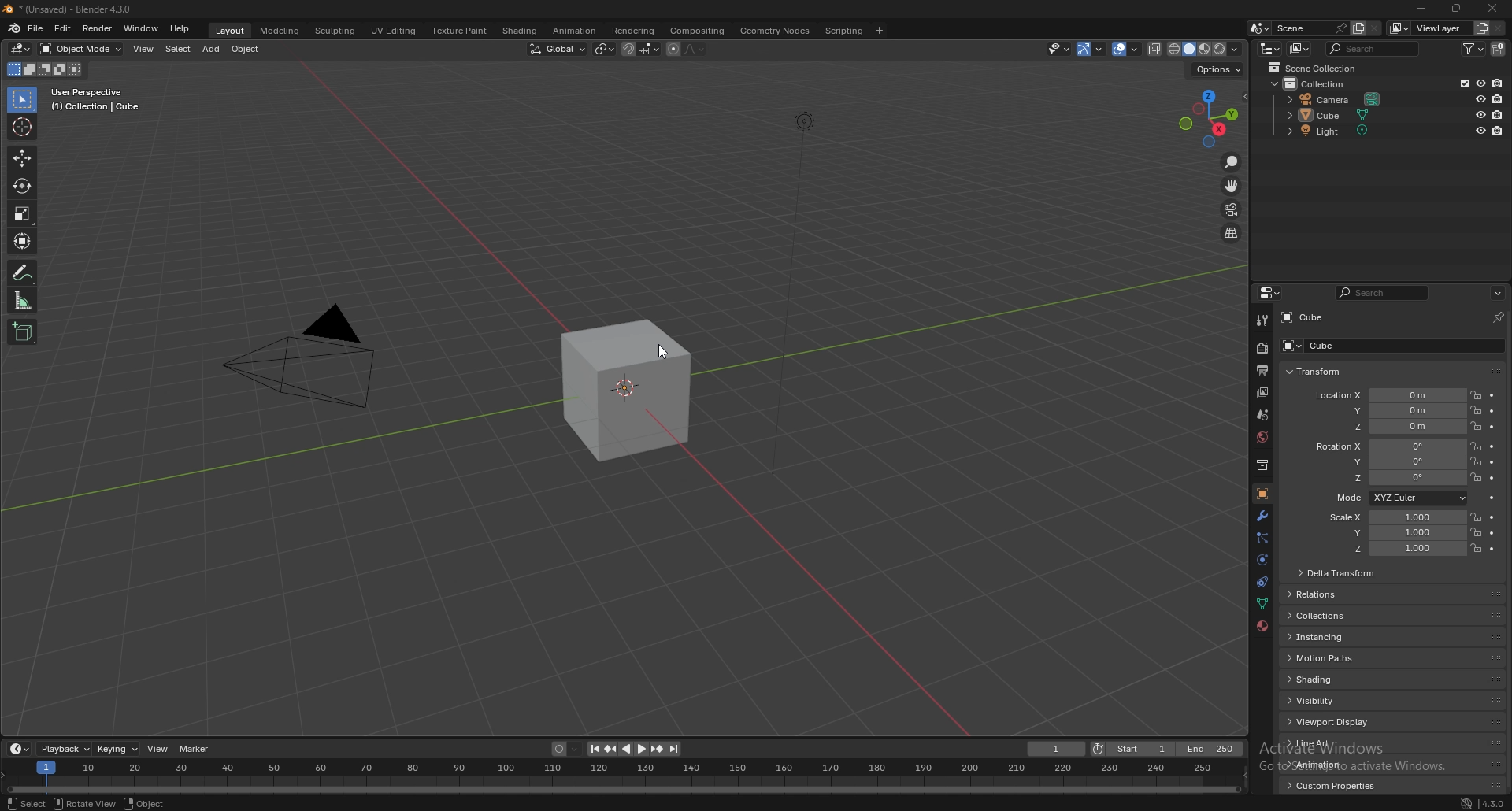 The width and height of the screenshot is (1512, 811). I want to click on perspective/orthographic projection, so click(1232, 233).